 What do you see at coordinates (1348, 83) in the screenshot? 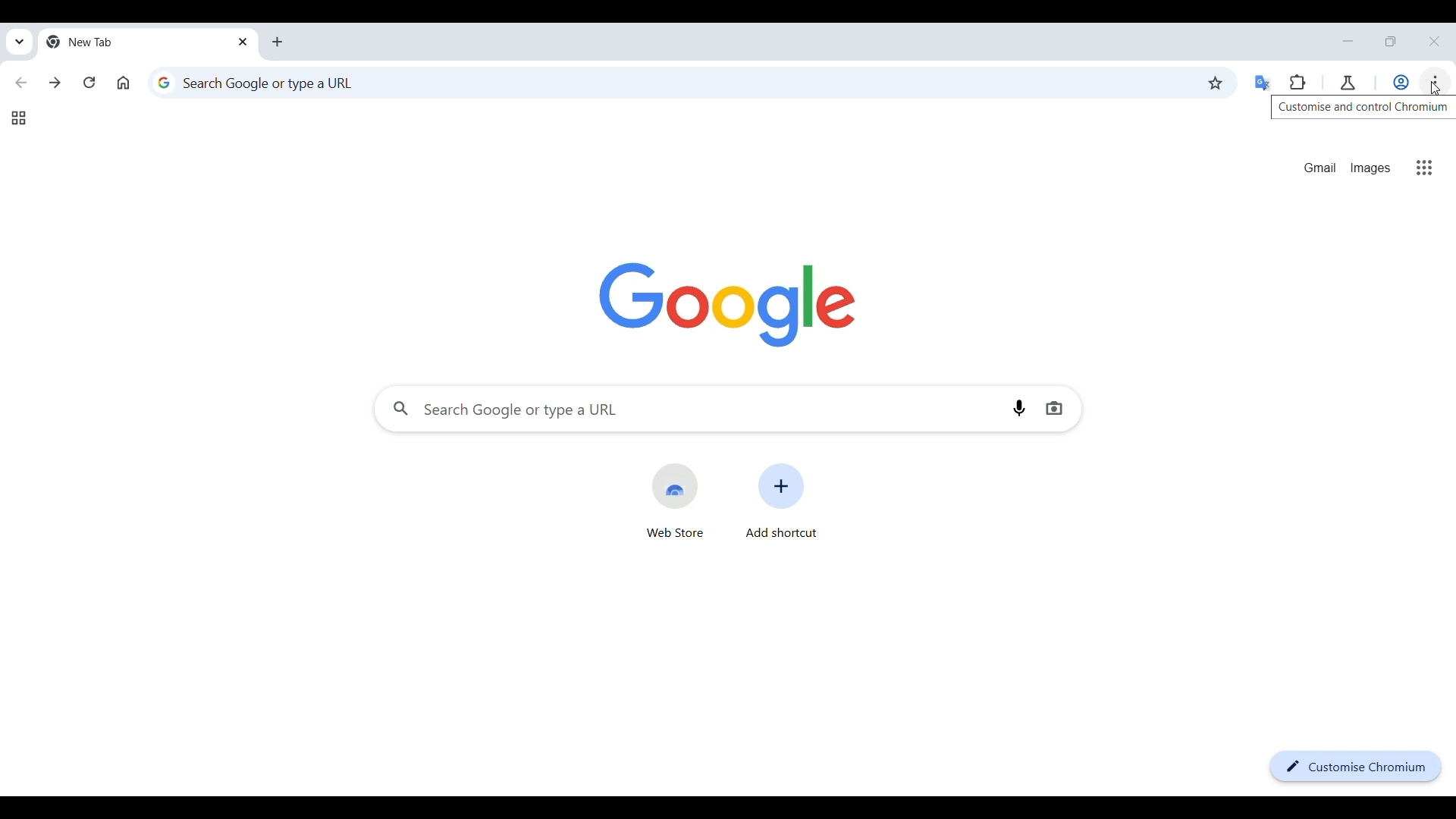
I see `Chrome labs` at bounding box center [1348, 83].